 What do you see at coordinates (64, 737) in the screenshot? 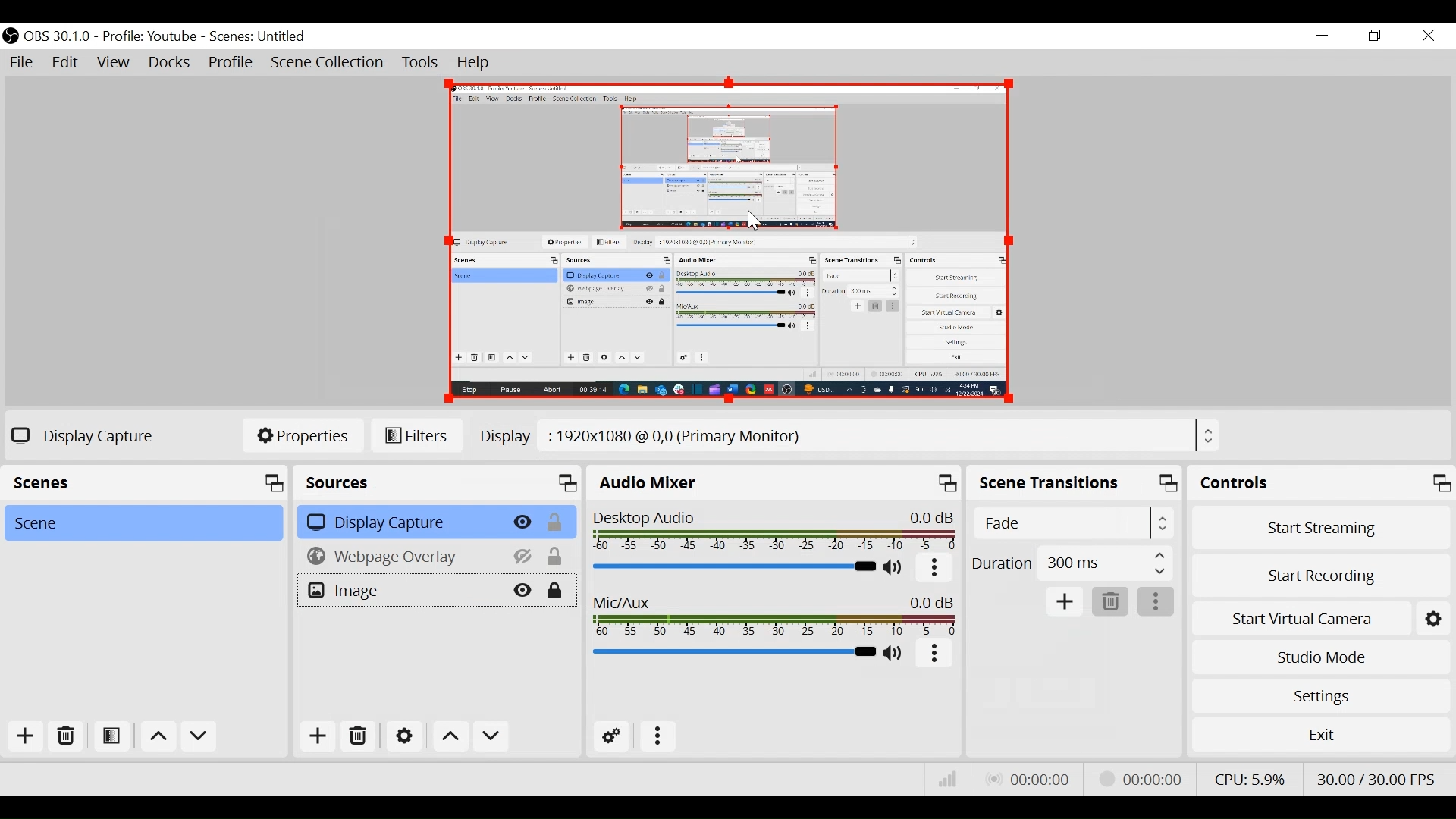
I see `Delete` at bounding box center [64, 737].